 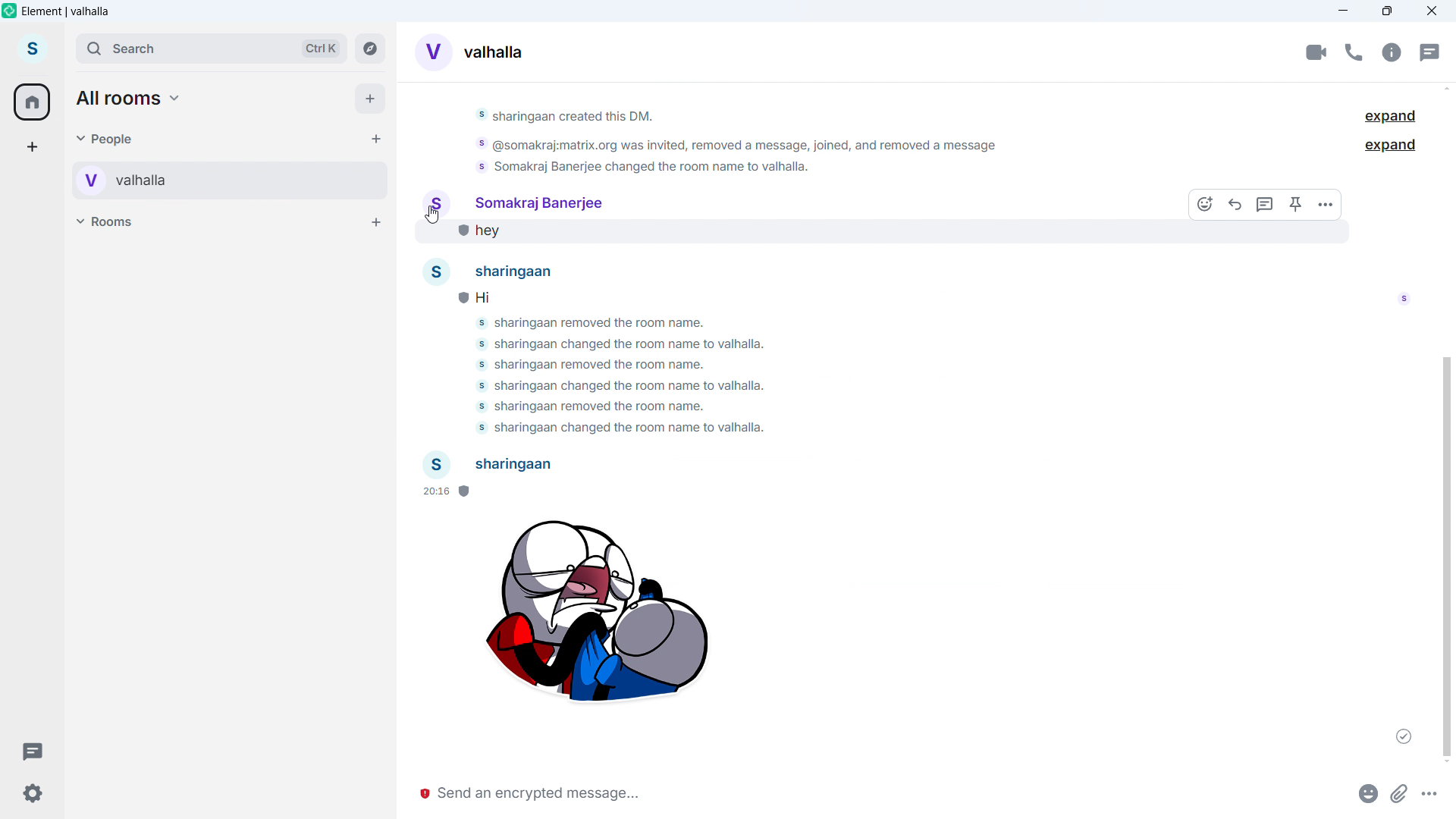 What do you see at coordinates (1353, 52) in the screenshot?
I see `call ` at bounding box center [1353, 52].